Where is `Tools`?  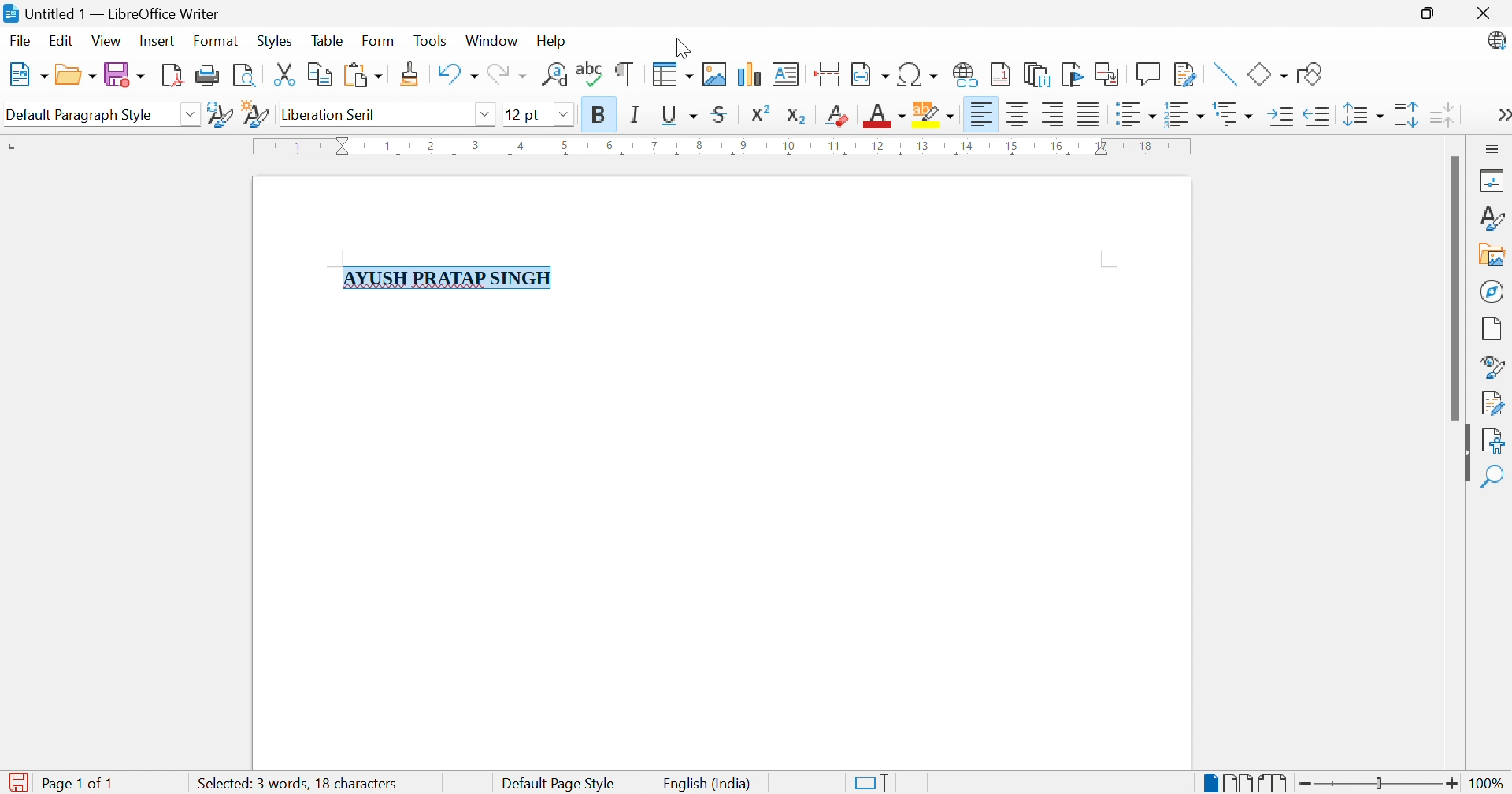
Tools is located at coordinates (431, 39).